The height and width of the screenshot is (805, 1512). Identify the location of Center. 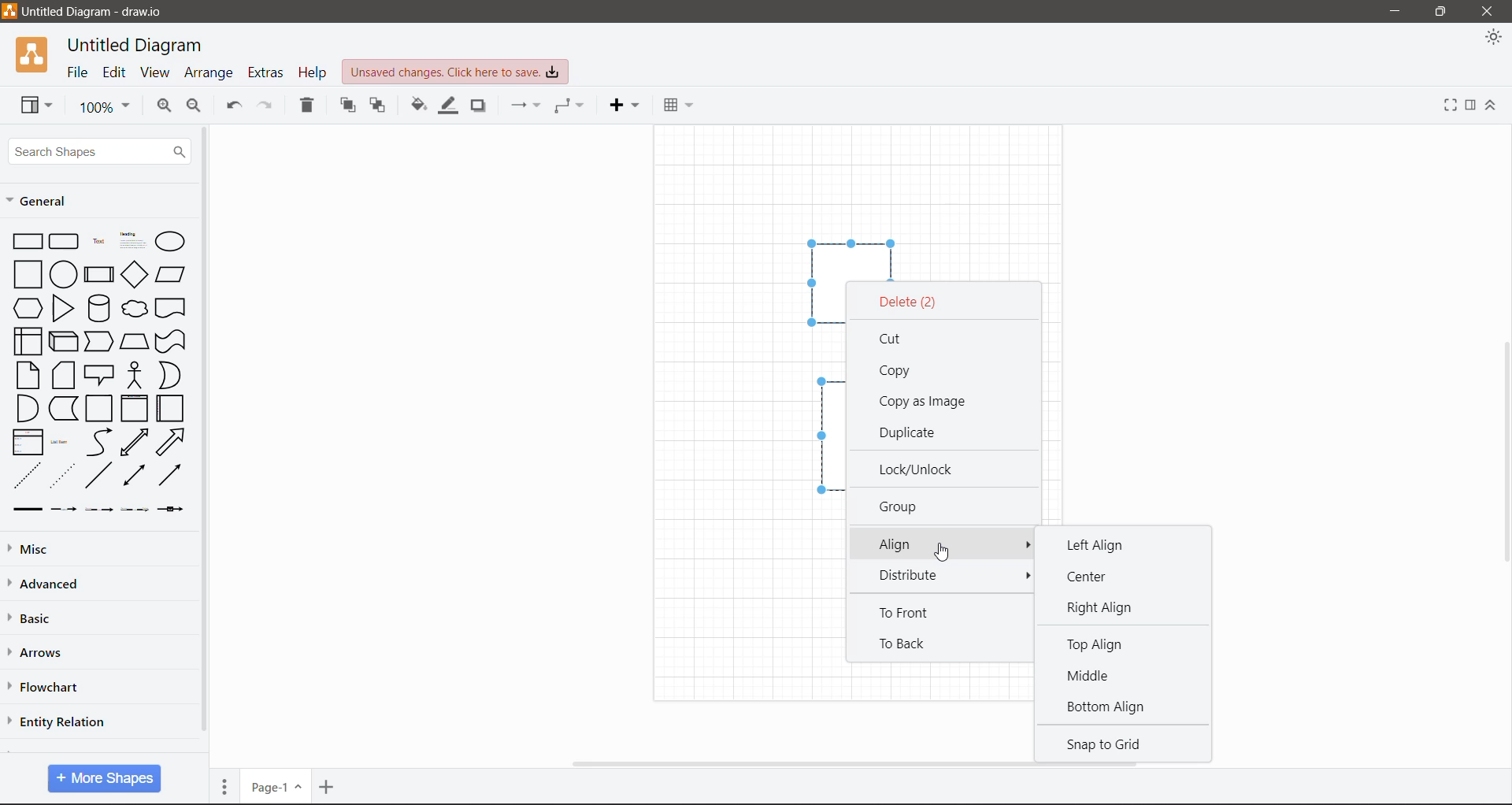
(1096, 577).